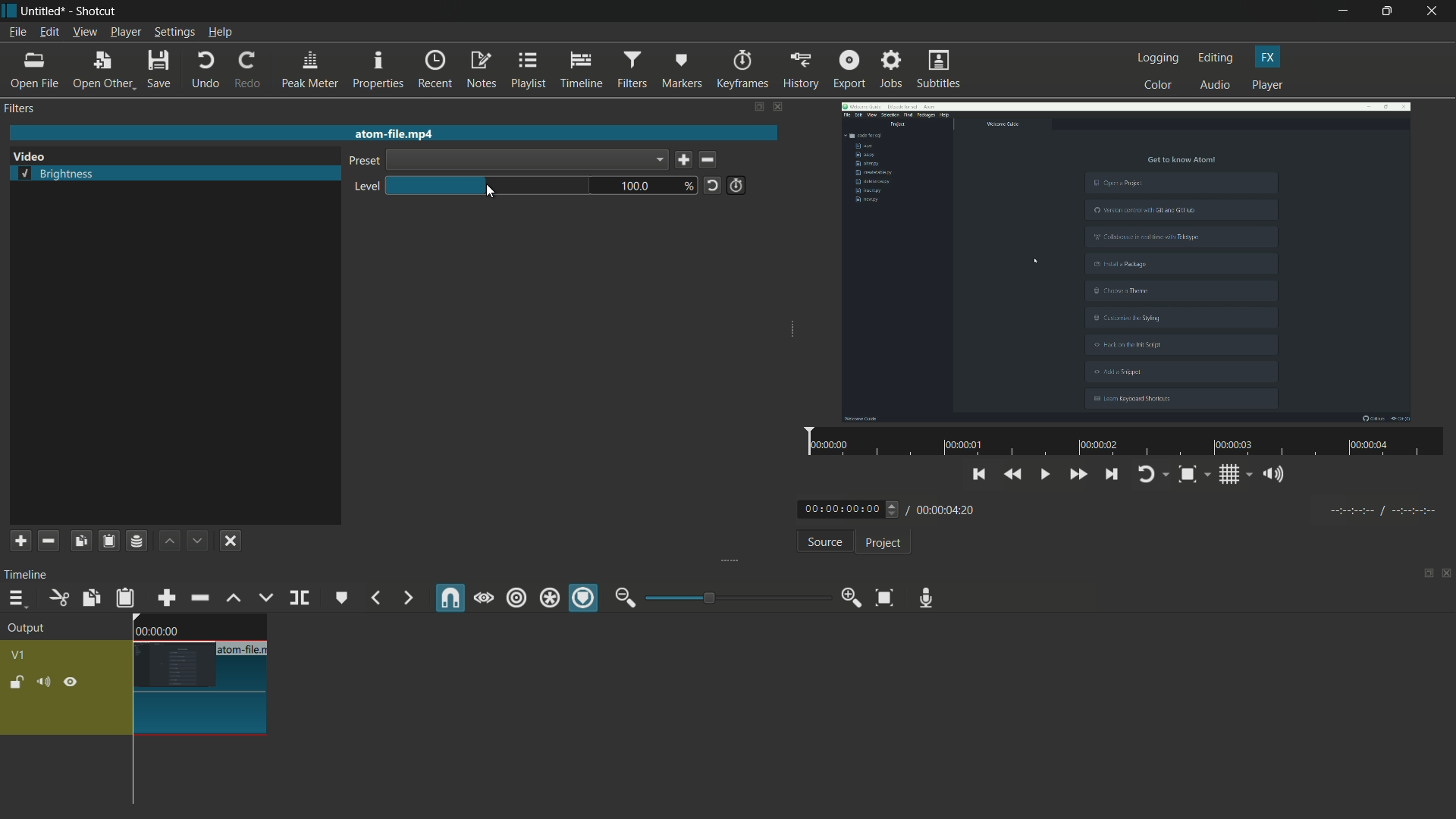 The width and height of the screenshot is (1456, 819). I want to click on zoom out, so click(625, 598).